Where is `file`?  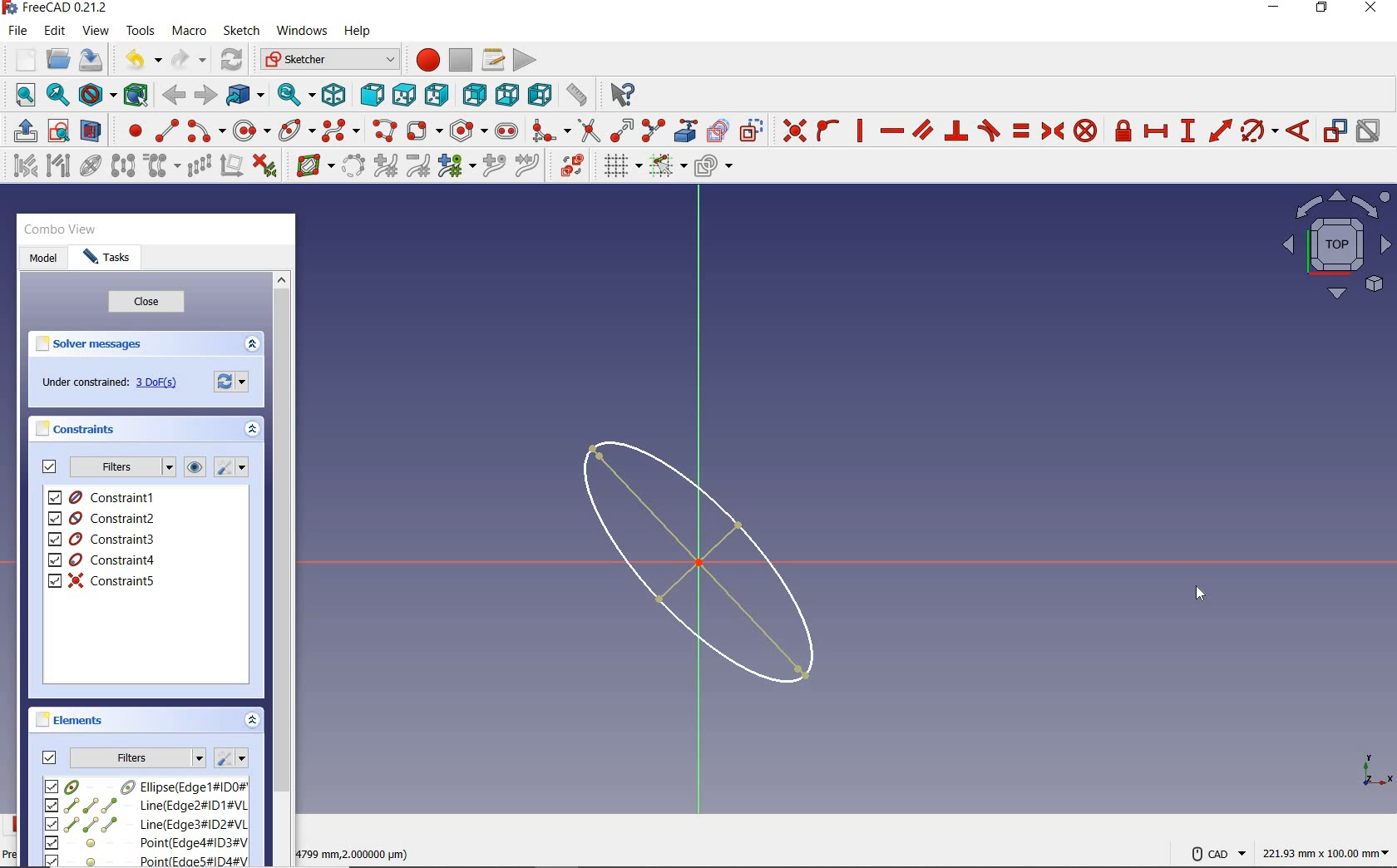
file is located at coordinates (17, 31).